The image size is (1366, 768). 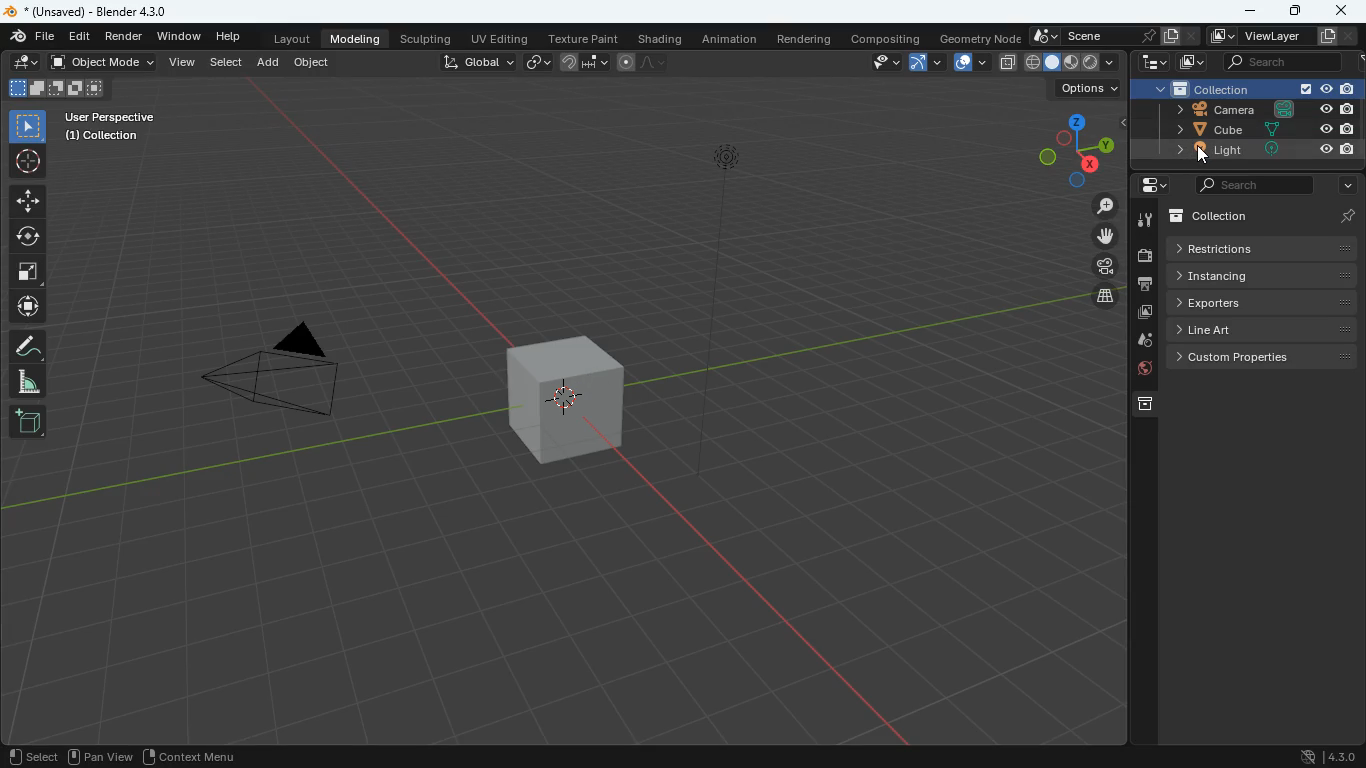 I want to click on camera, so click(x=1104, y=266).